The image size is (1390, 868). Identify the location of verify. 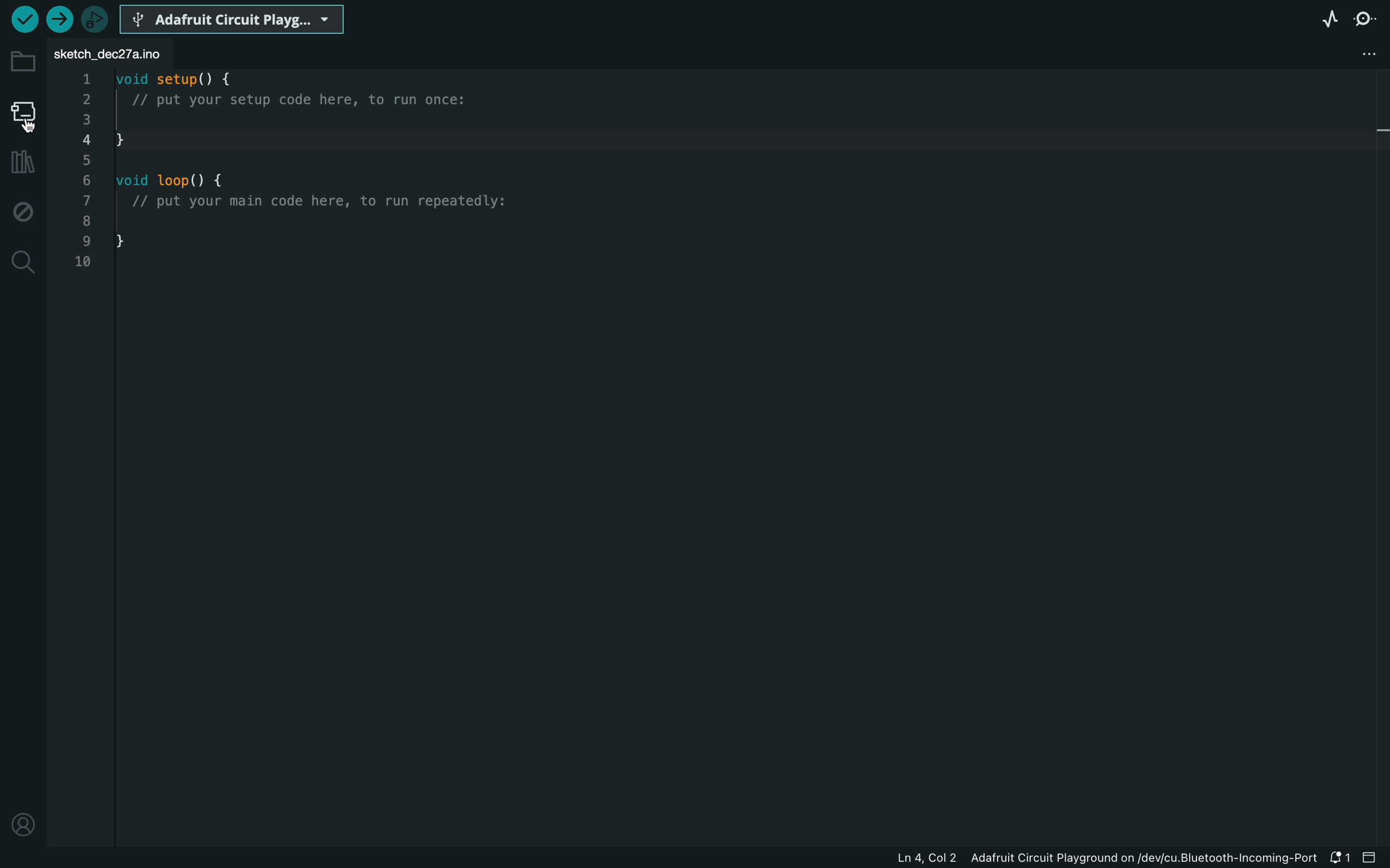
(23, 20).